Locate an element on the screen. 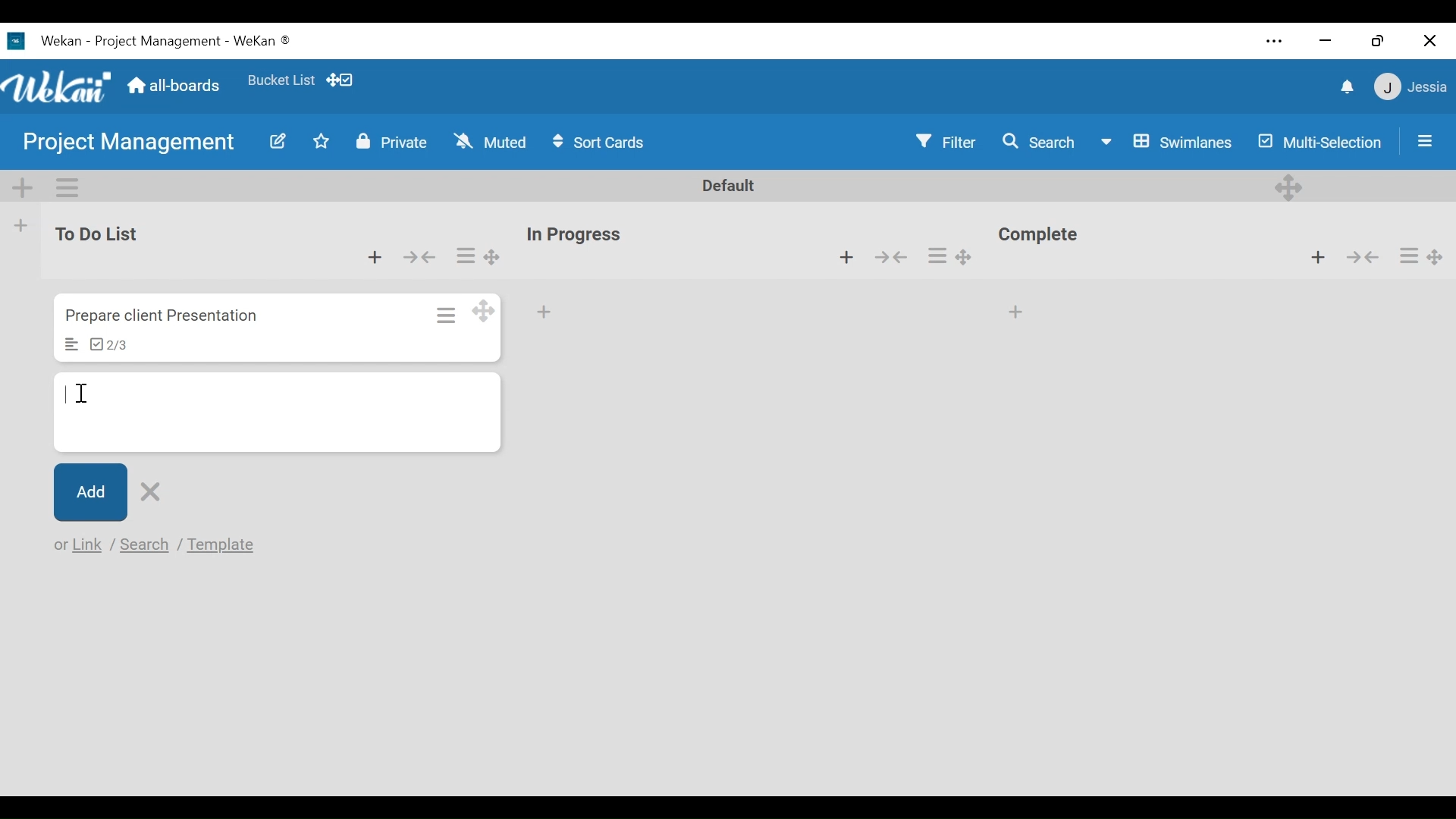 The height and width of the screenshot is (819, 1456). Card is located at coordinates (276, 409).